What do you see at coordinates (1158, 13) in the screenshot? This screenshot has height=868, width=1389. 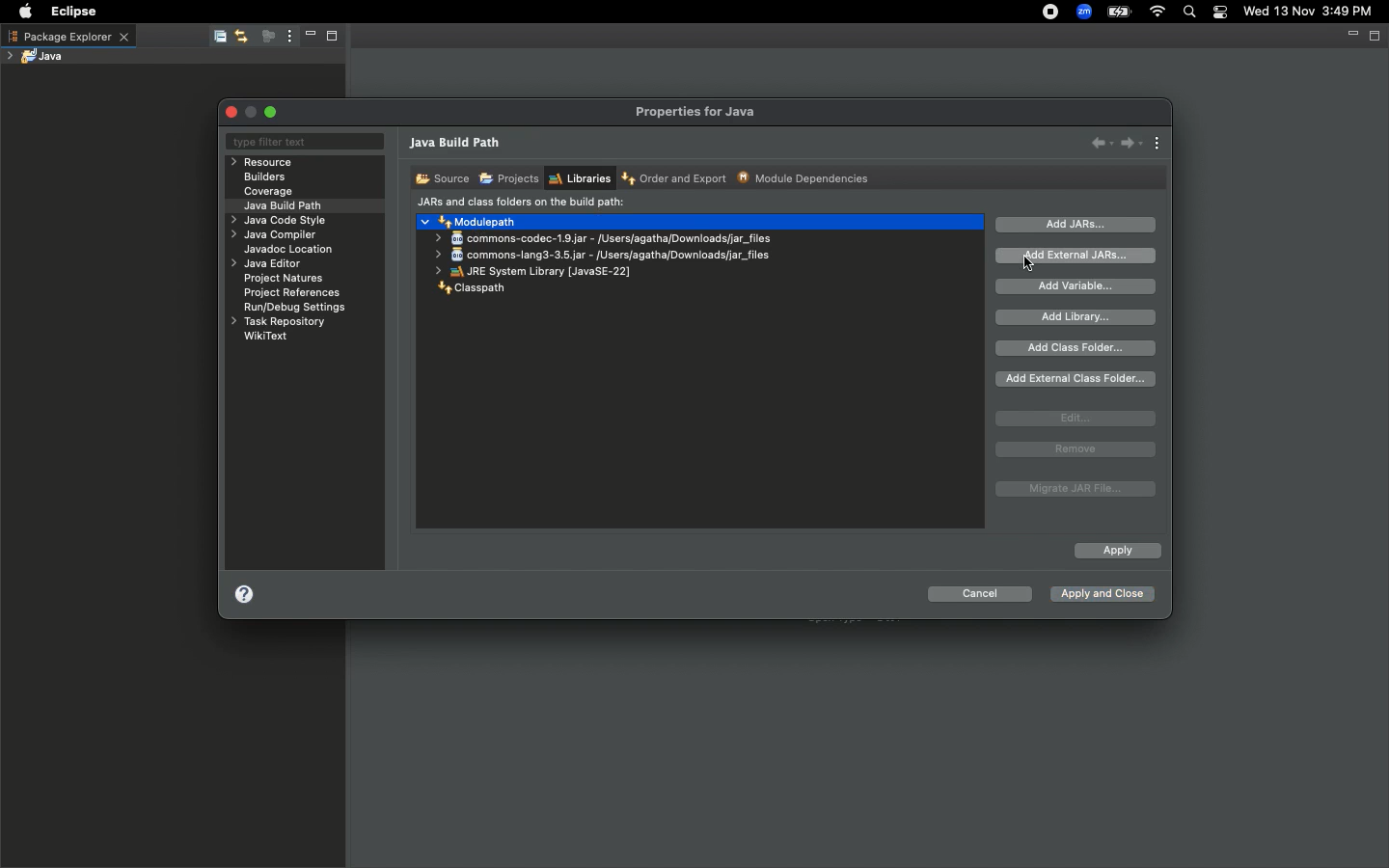 I see `Internet` at bounding box center [1158, 13].